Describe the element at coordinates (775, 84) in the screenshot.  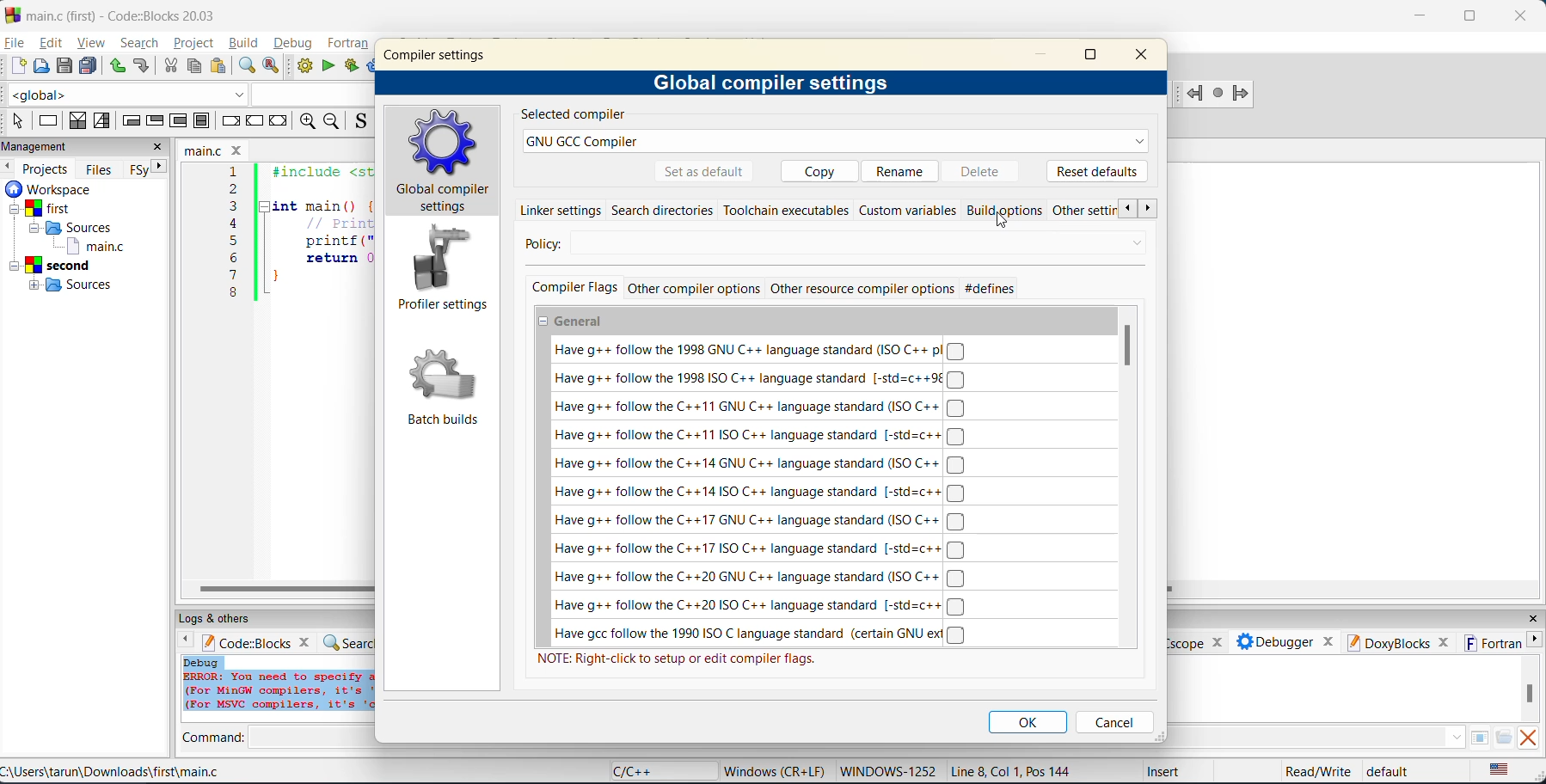
I see `global compiler settings` at that location.